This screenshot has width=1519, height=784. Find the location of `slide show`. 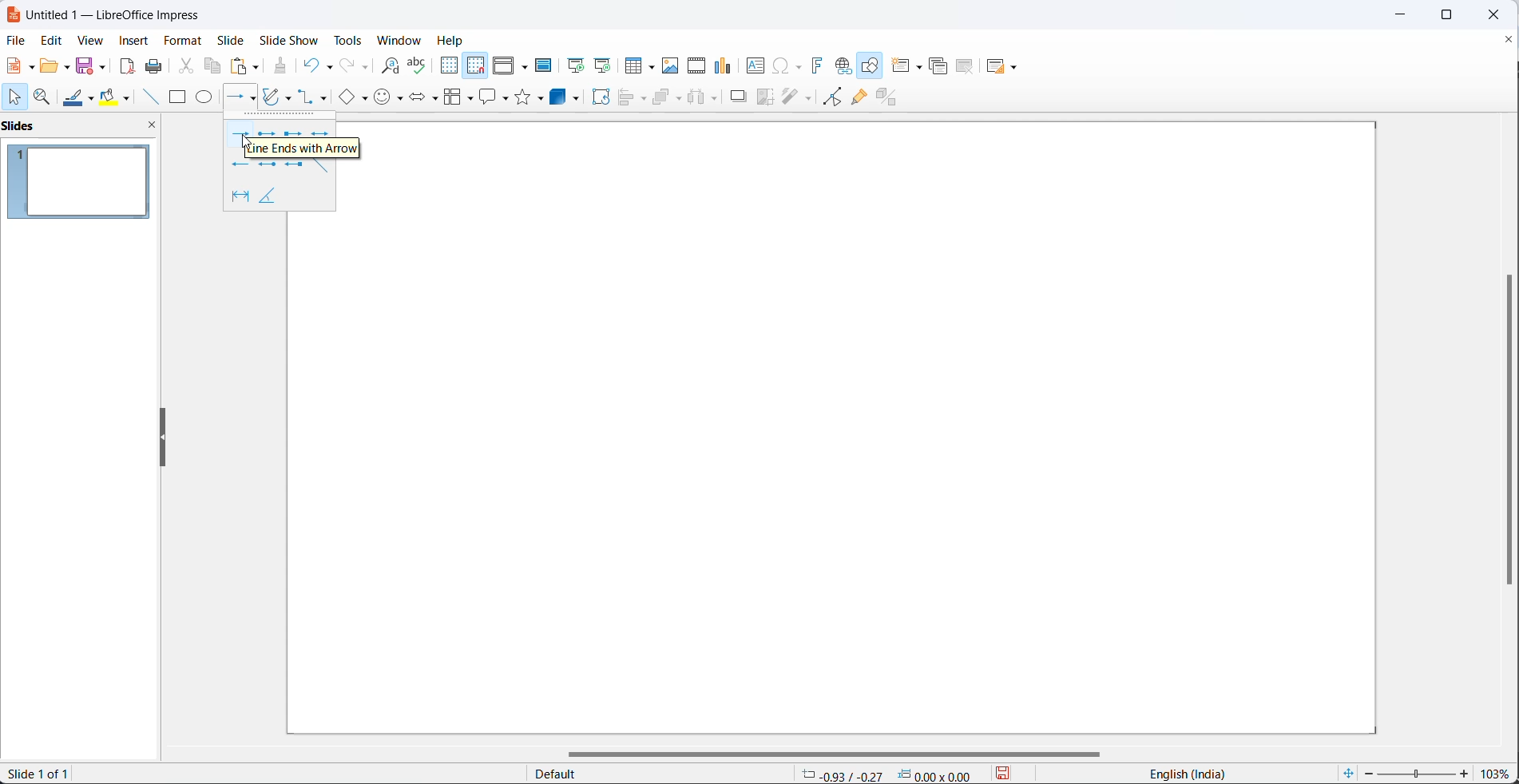

slide show is located at coordinates (286, 41).